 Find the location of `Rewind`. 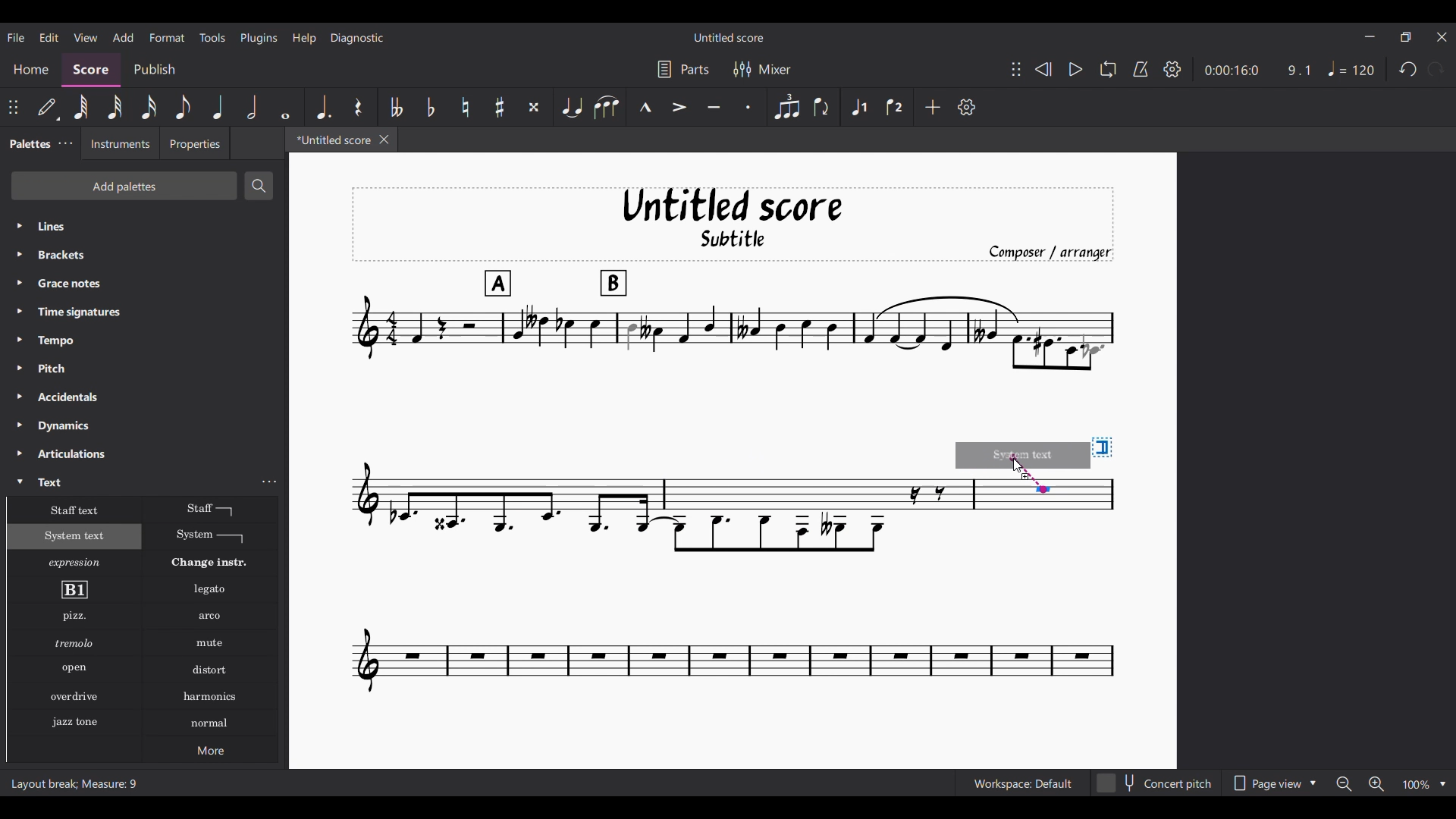

Rewind is located at coordinates (1043, 69).